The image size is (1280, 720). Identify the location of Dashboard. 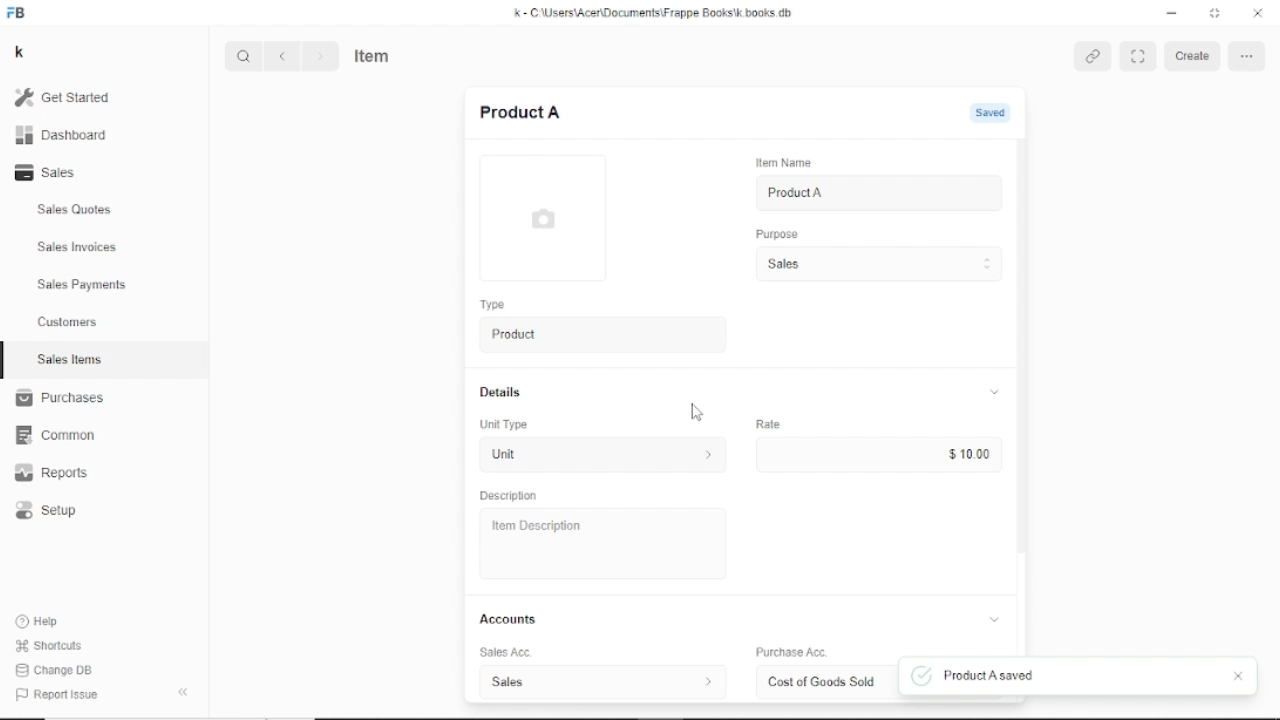
(62, 136).